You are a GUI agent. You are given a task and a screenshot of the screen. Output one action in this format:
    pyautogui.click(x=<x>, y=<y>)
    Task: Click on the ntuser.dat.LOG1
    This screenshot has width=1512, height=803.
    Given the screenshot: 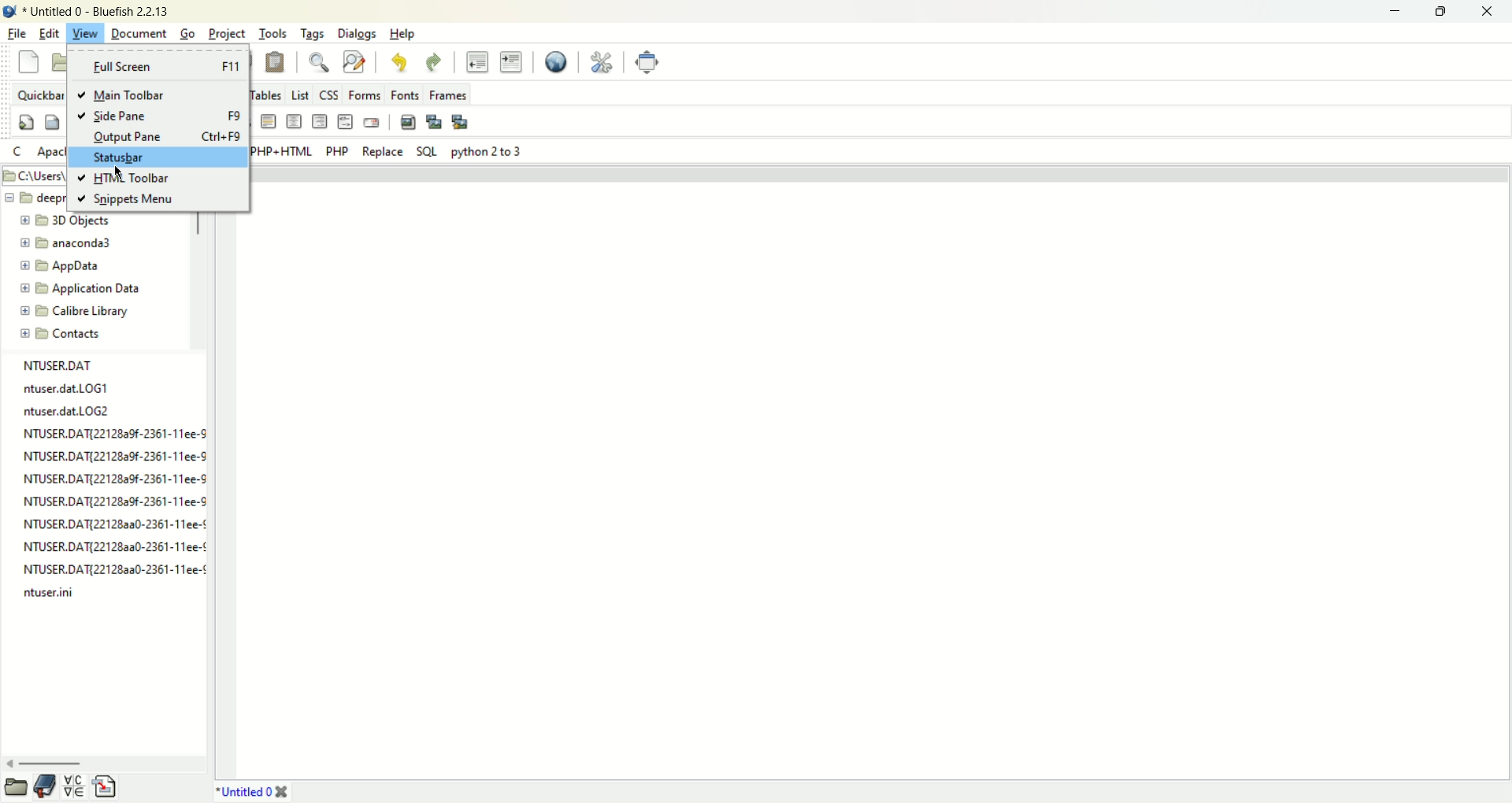 What is the action you would take?
    pyautogui.click(x=68, y=388)
    